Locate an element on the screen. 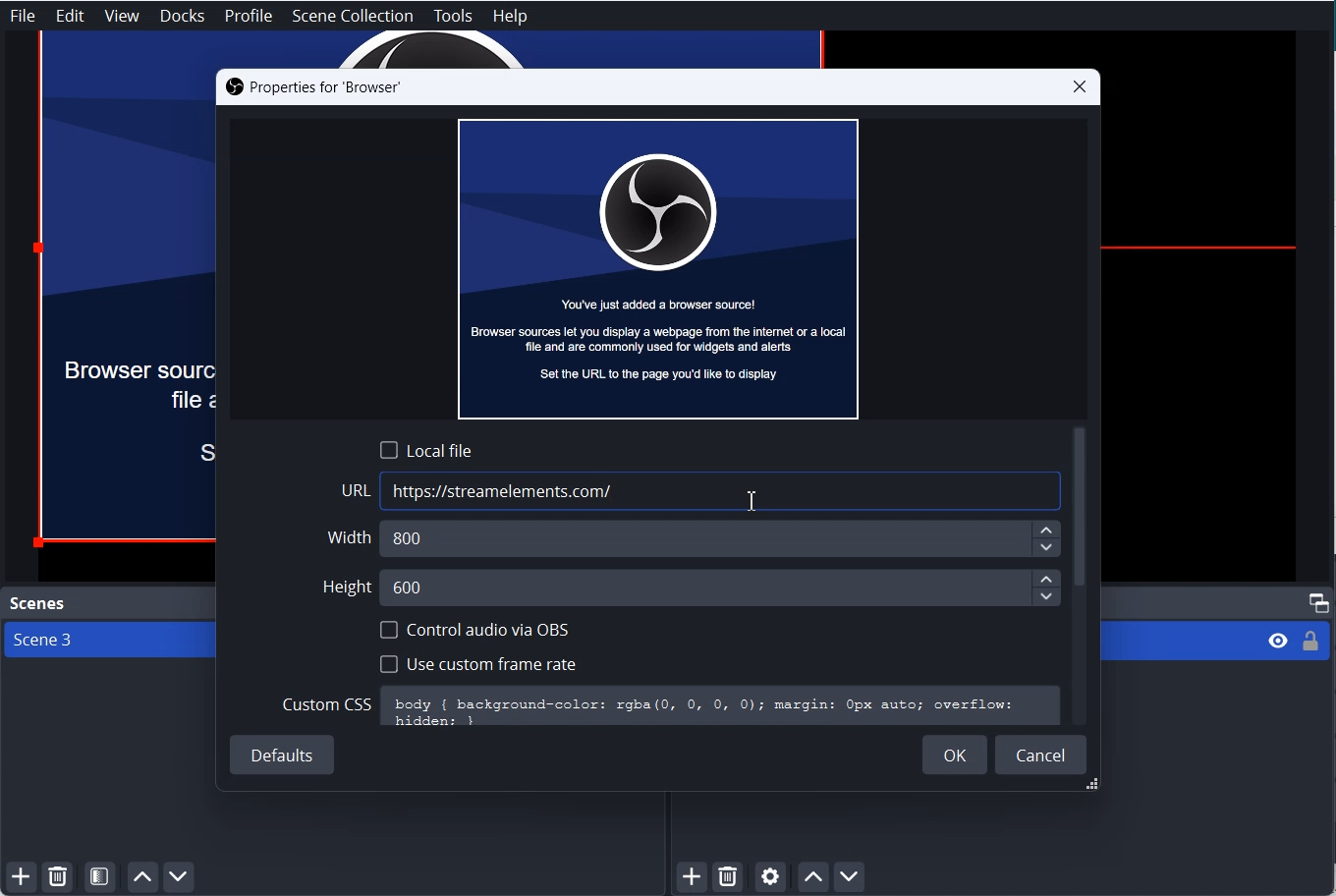 Image resolution: width=1336 pixels, height=896 pixels. Add Source is located at coordinates (694, 877).